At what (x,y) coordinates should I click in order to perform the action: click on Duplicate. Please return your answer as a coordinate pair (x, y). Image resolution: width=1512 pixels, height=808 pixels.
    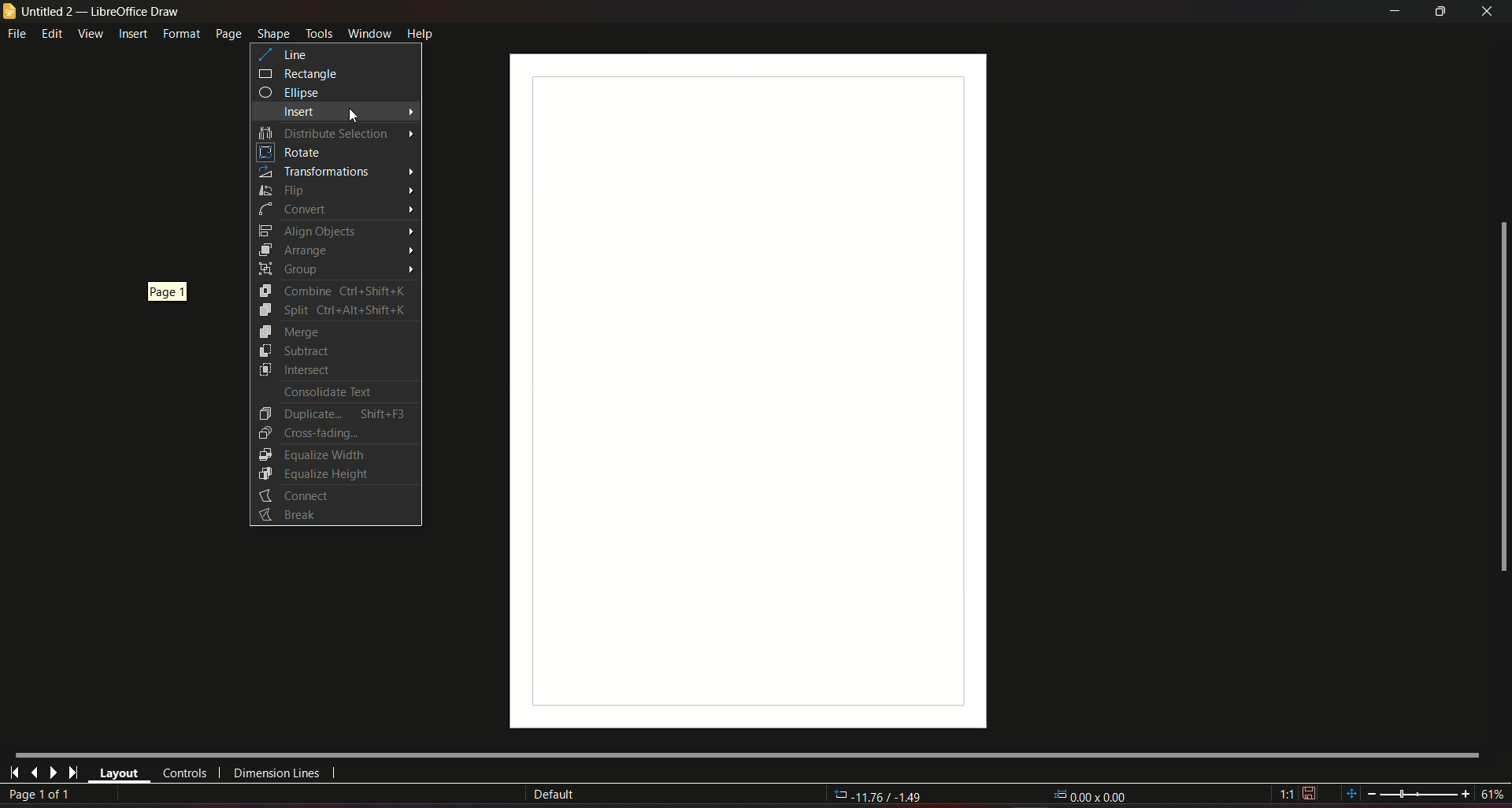
    Looking at the image, I should click on (332, 413).